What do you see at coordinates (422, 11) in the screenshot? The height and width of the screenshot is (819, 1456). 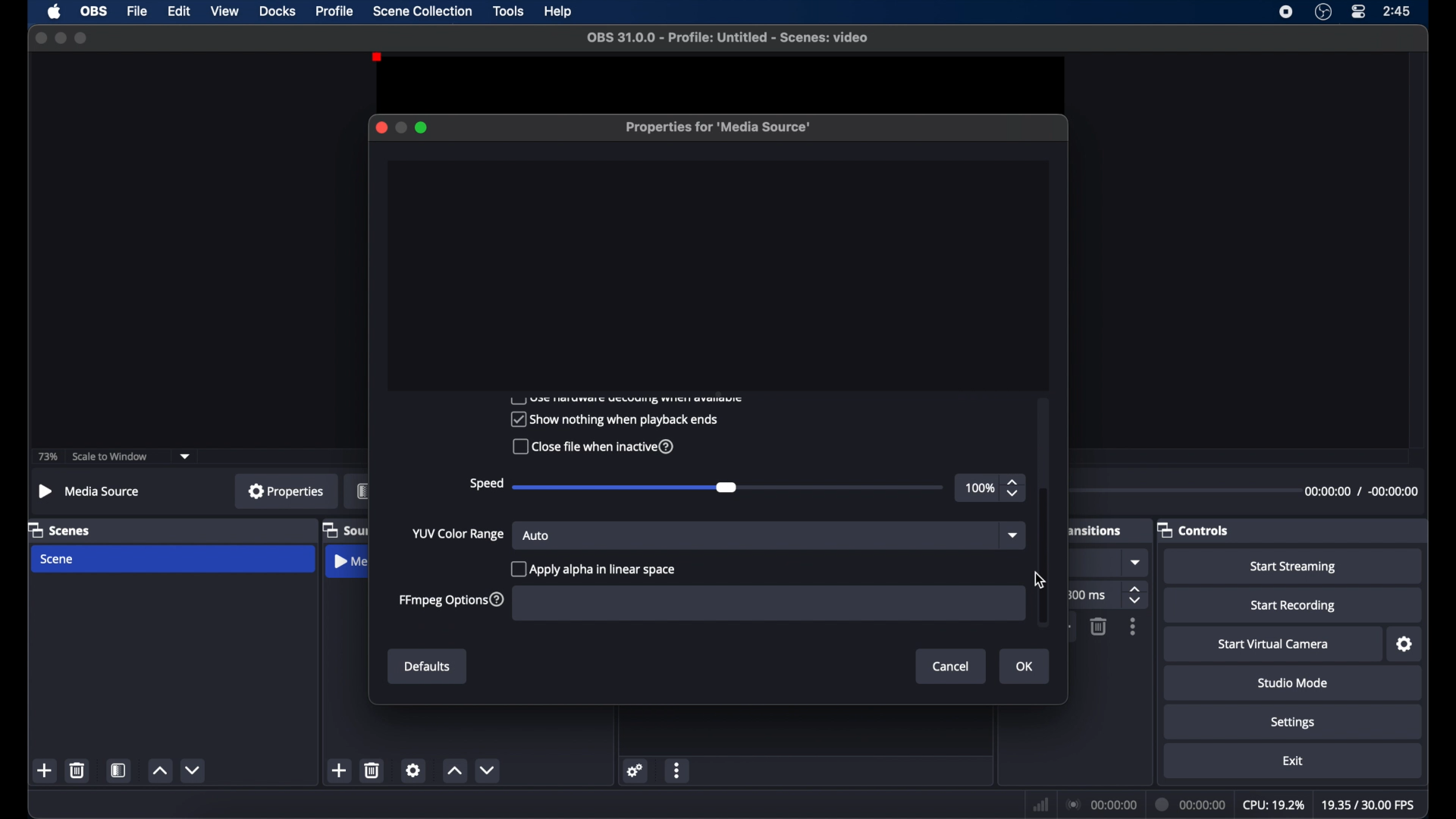 I see `scene collection` at bounding box center [422, 11].